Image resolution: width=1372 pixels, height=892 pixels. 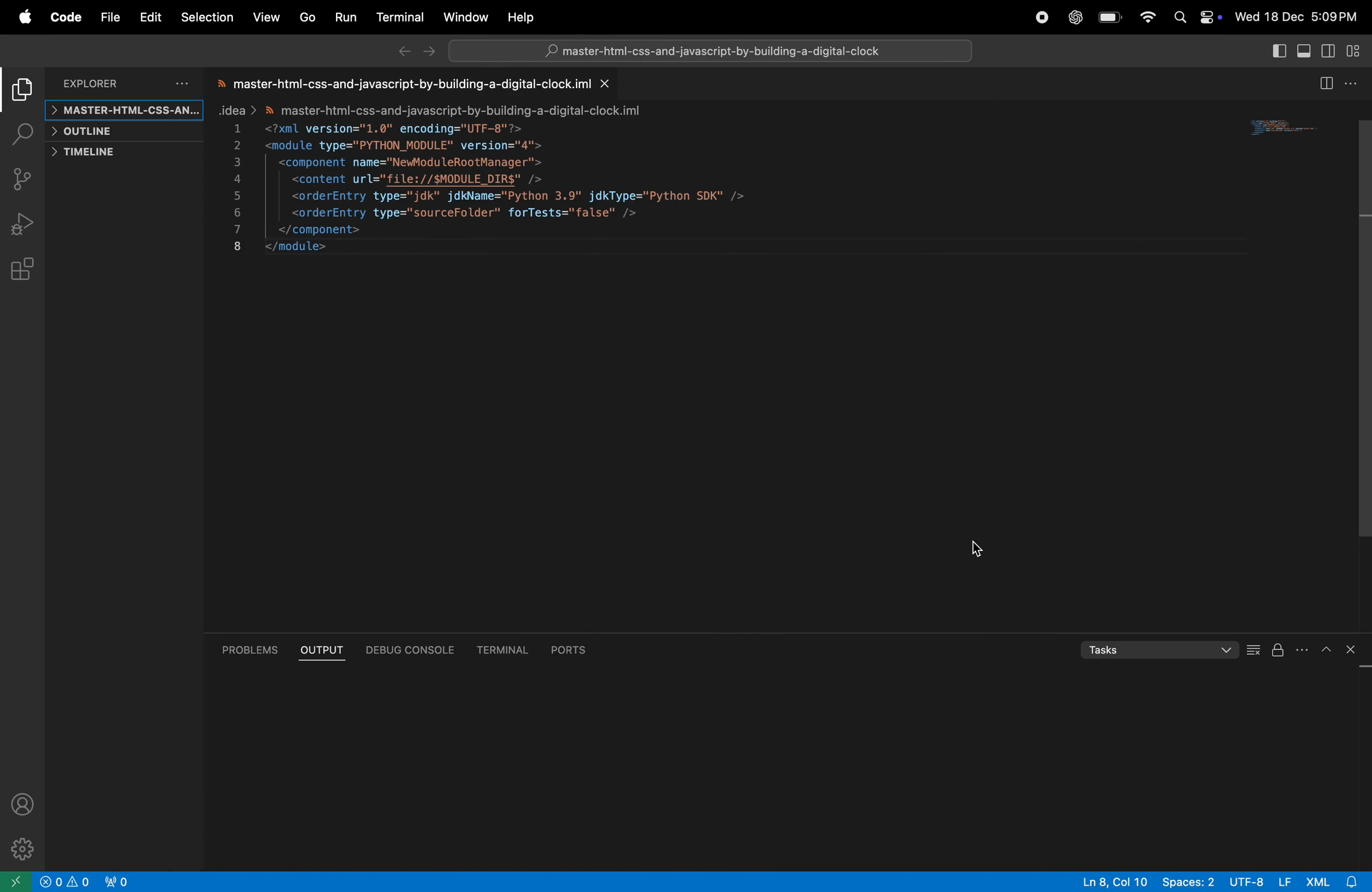 What do you see at coordinates (398, 18) in the screenshot?
I see `terminal` at bounding box center [398, 18].